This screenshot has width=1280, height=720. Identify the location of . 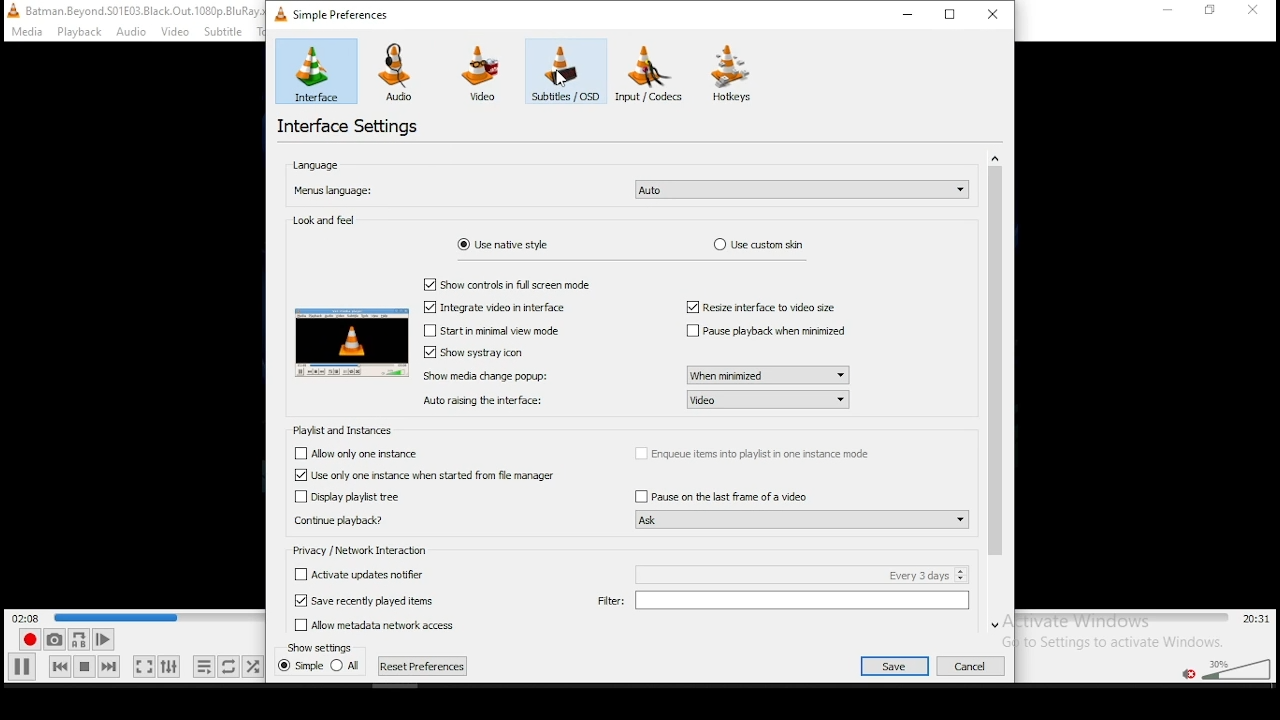
(353, 452).